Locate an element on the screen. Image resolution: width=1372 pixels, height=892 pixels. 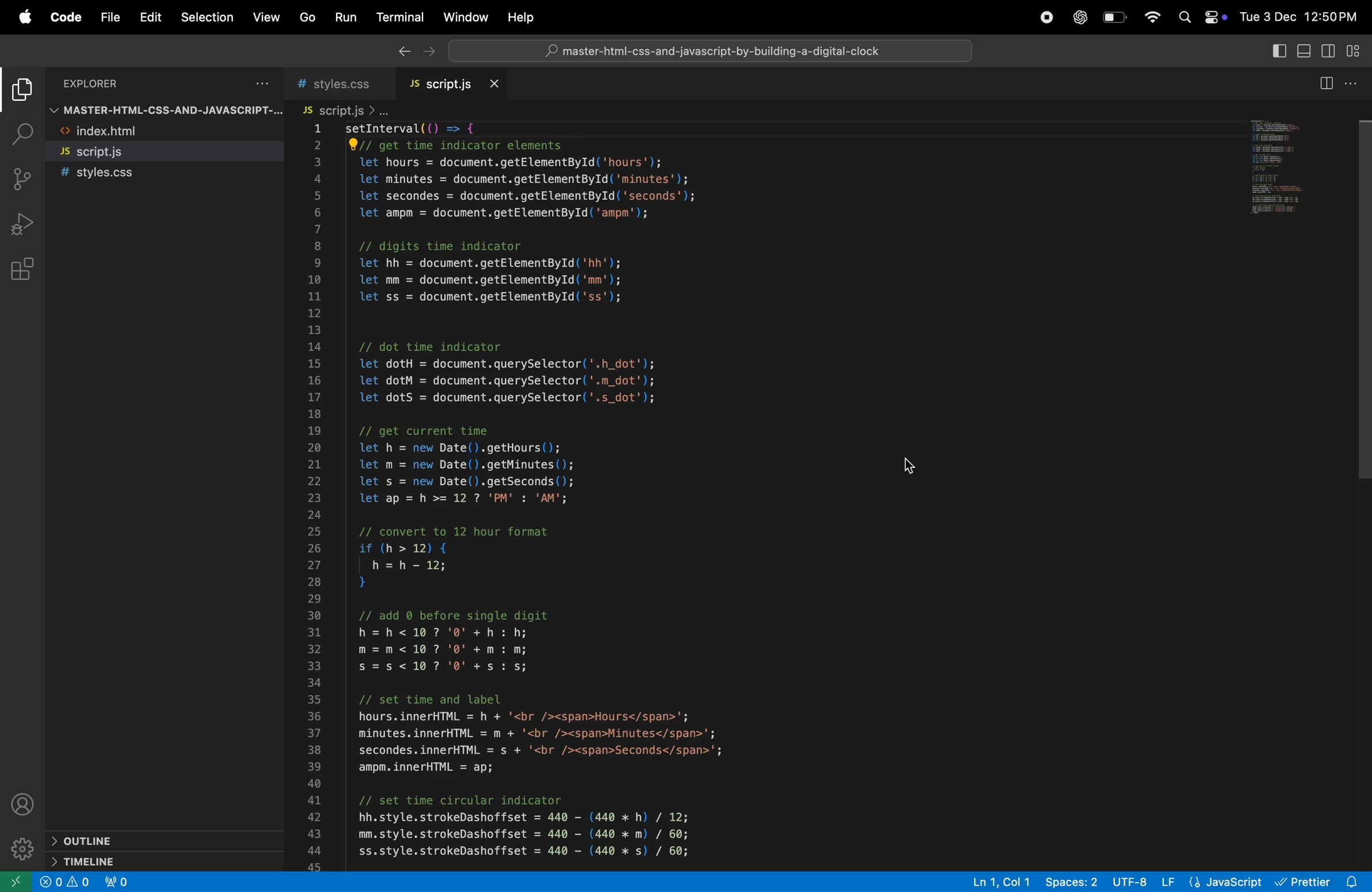
toggle secondary window is located at coordinates (1329, 50).